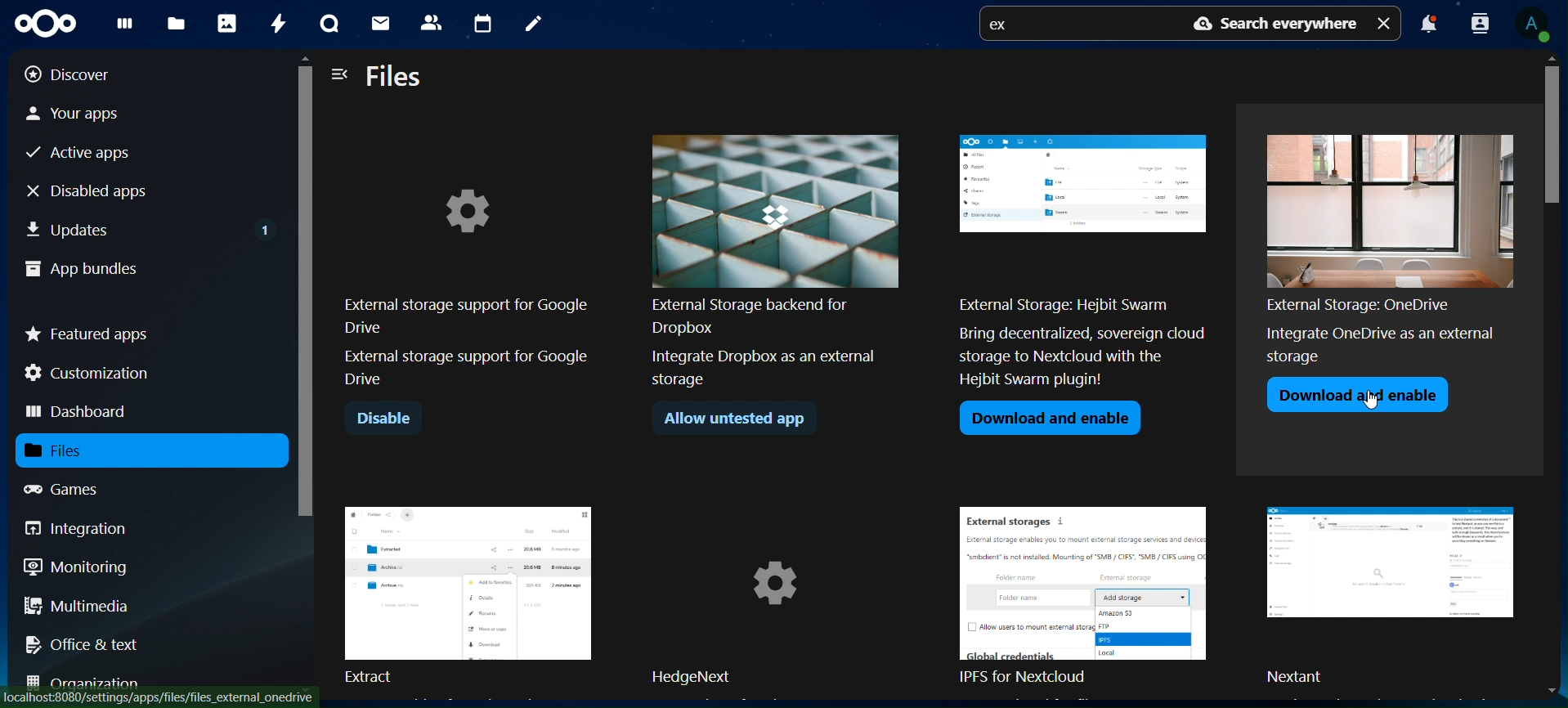 This screenshot has width=1568, height=708. Describe the element at coordinates (1270, 25) in the screenshot. I see `search everywhere` at that location.